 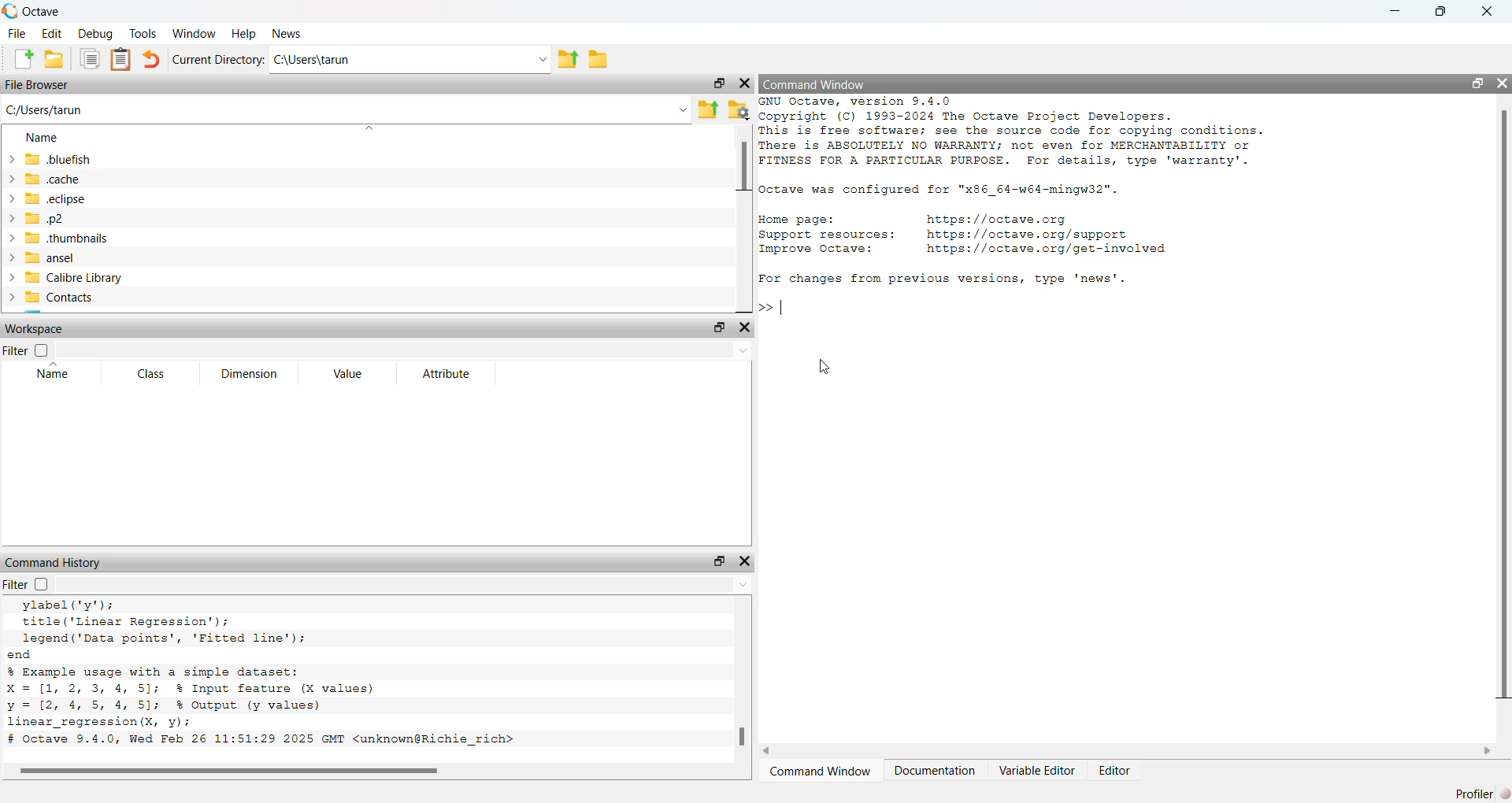 What do you see at coordinates (9, 9) in the screenshot?
I see `logo` at bounding box center [9, 9].